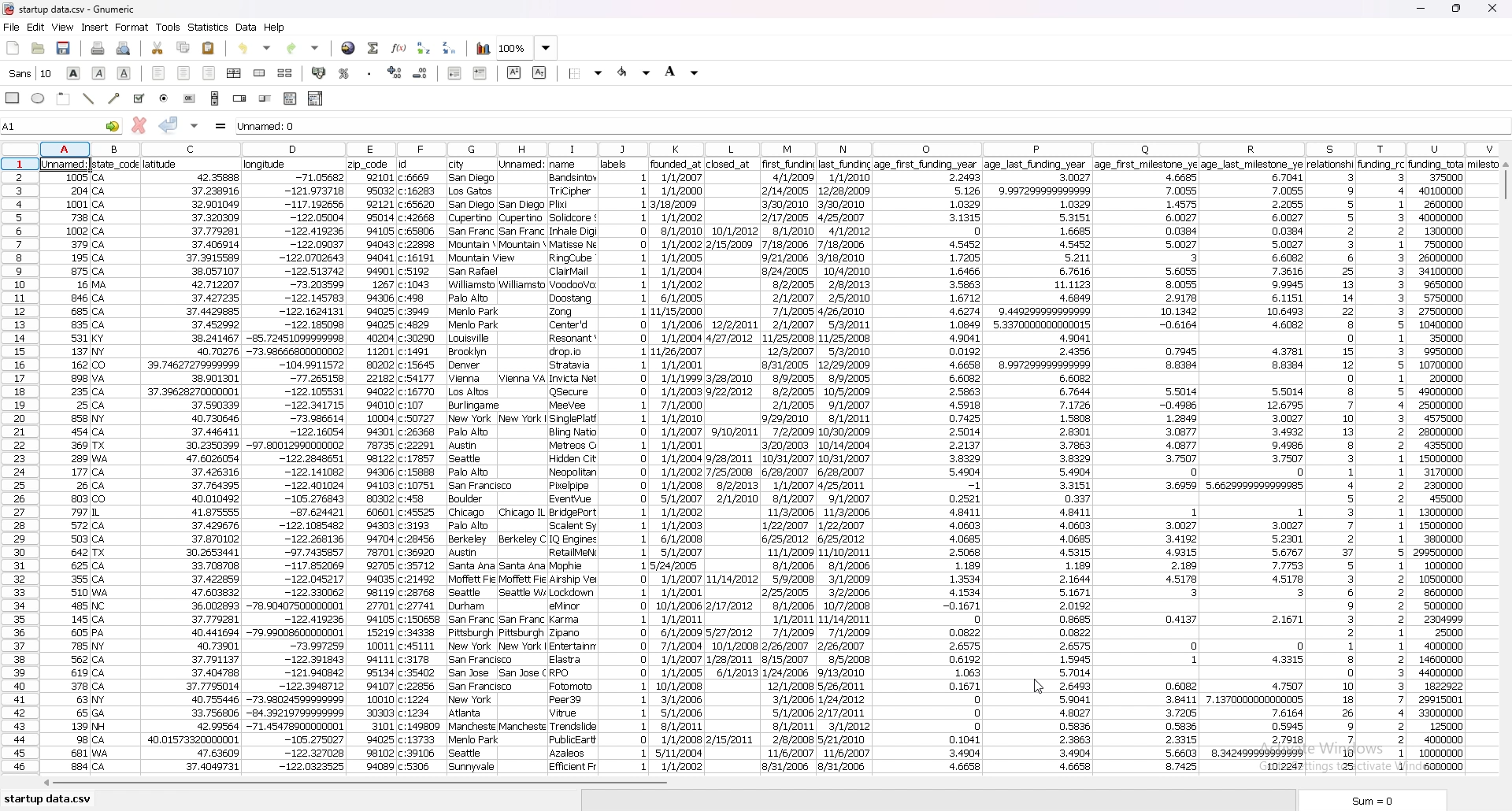 The width and height of the screenshot is (1512, 811). What do you see at coordinates (169, 27) in the screenshot?
I see `tools` at bounding box center [169, 27].